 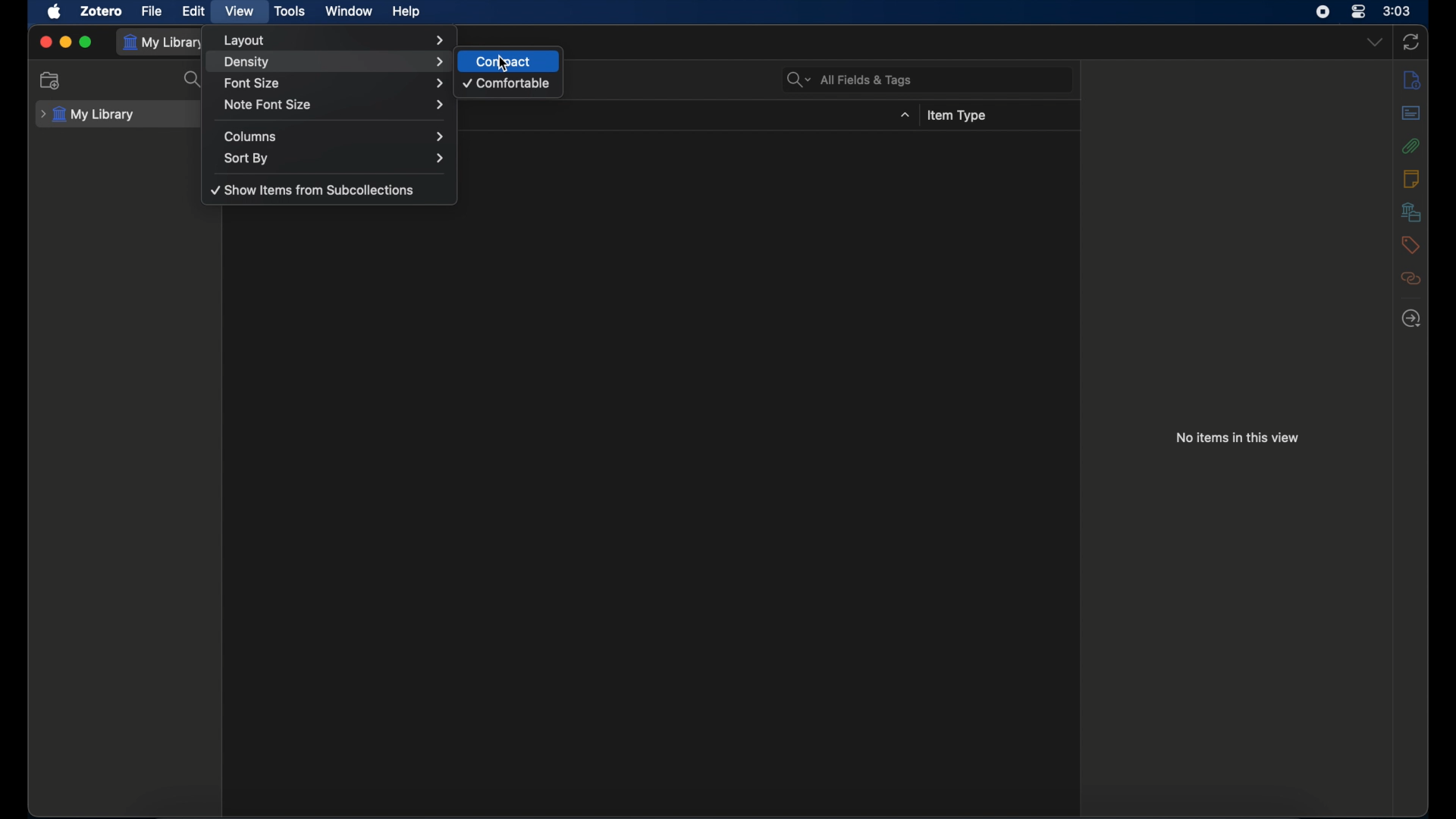 I want to click on locate, so click(x=1411, y=318).